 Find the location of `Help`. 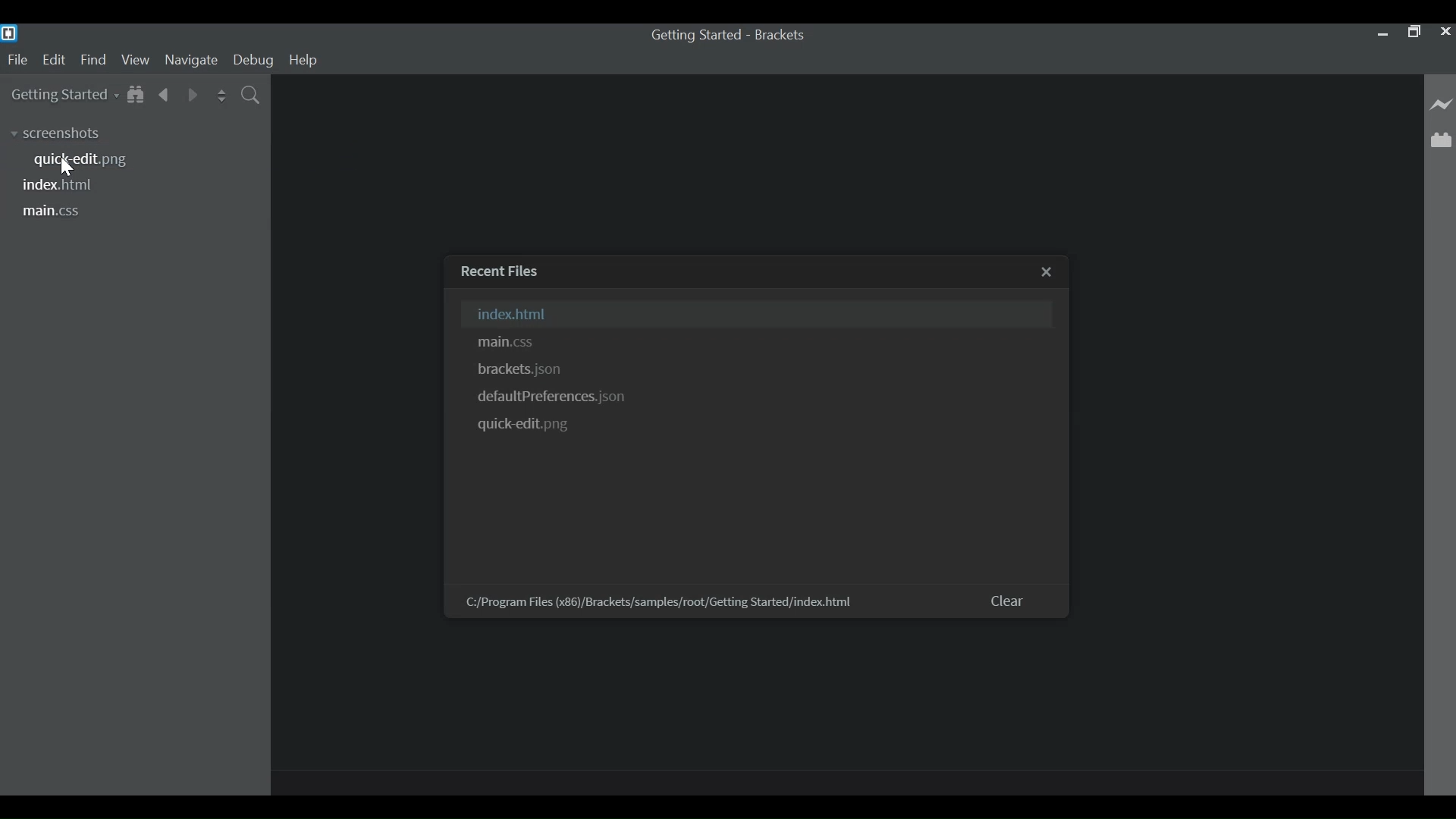

Help is located at coordinates (306, 61).